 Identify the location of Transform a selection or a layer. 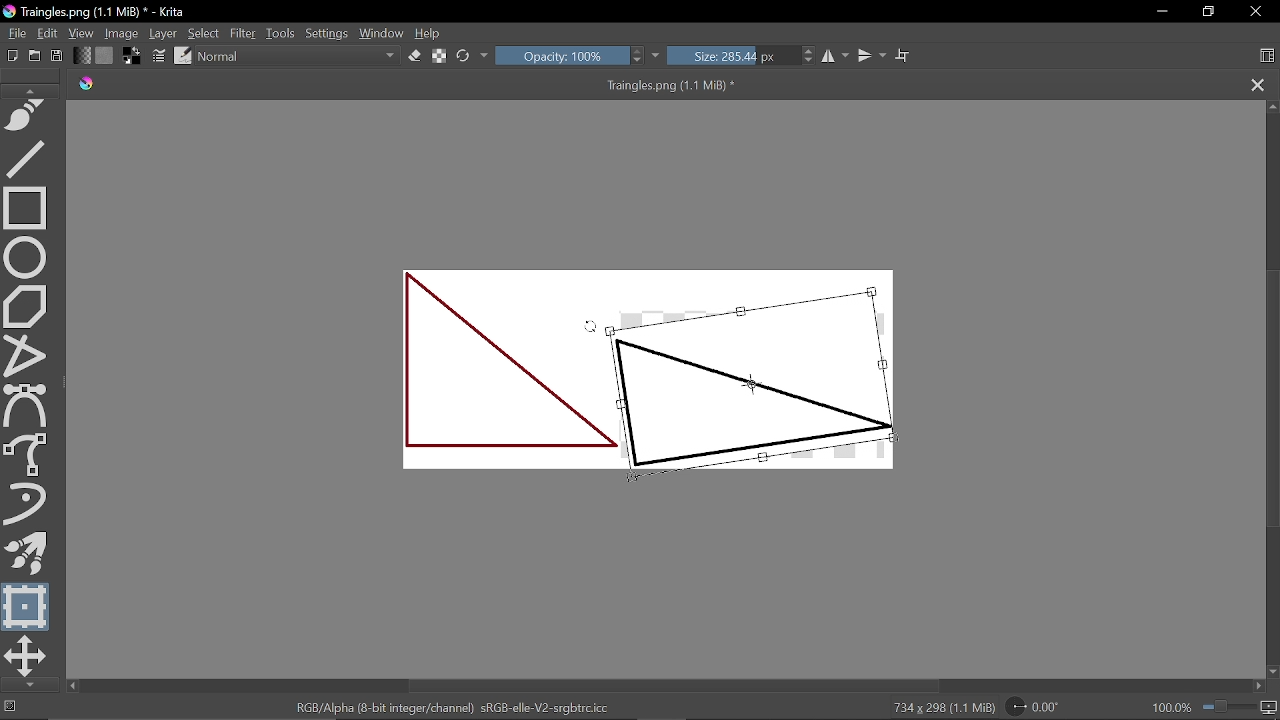
(27, 606).